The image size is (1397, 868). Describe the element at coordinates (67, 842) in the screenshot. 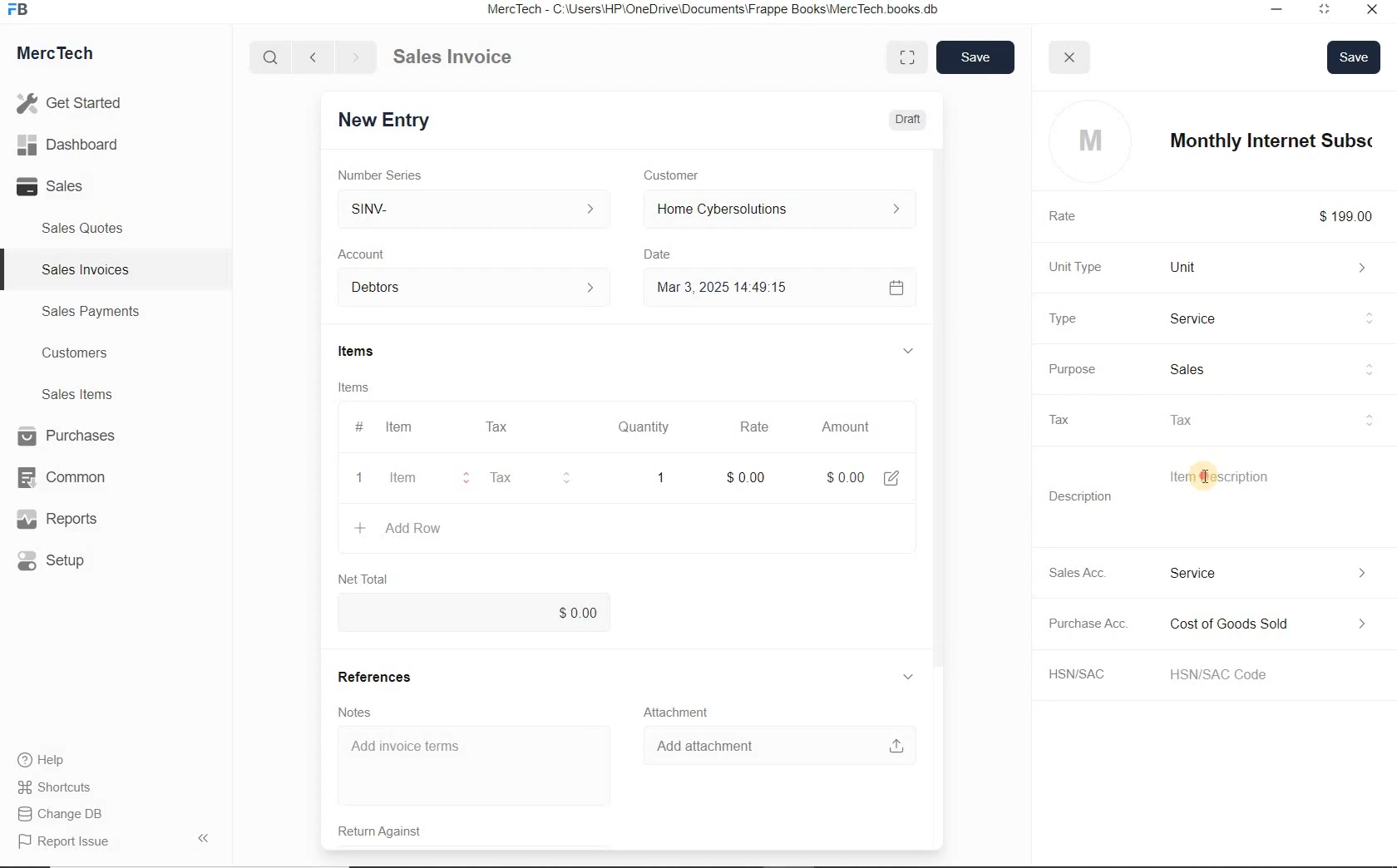

I see `Report Issue` at that location.